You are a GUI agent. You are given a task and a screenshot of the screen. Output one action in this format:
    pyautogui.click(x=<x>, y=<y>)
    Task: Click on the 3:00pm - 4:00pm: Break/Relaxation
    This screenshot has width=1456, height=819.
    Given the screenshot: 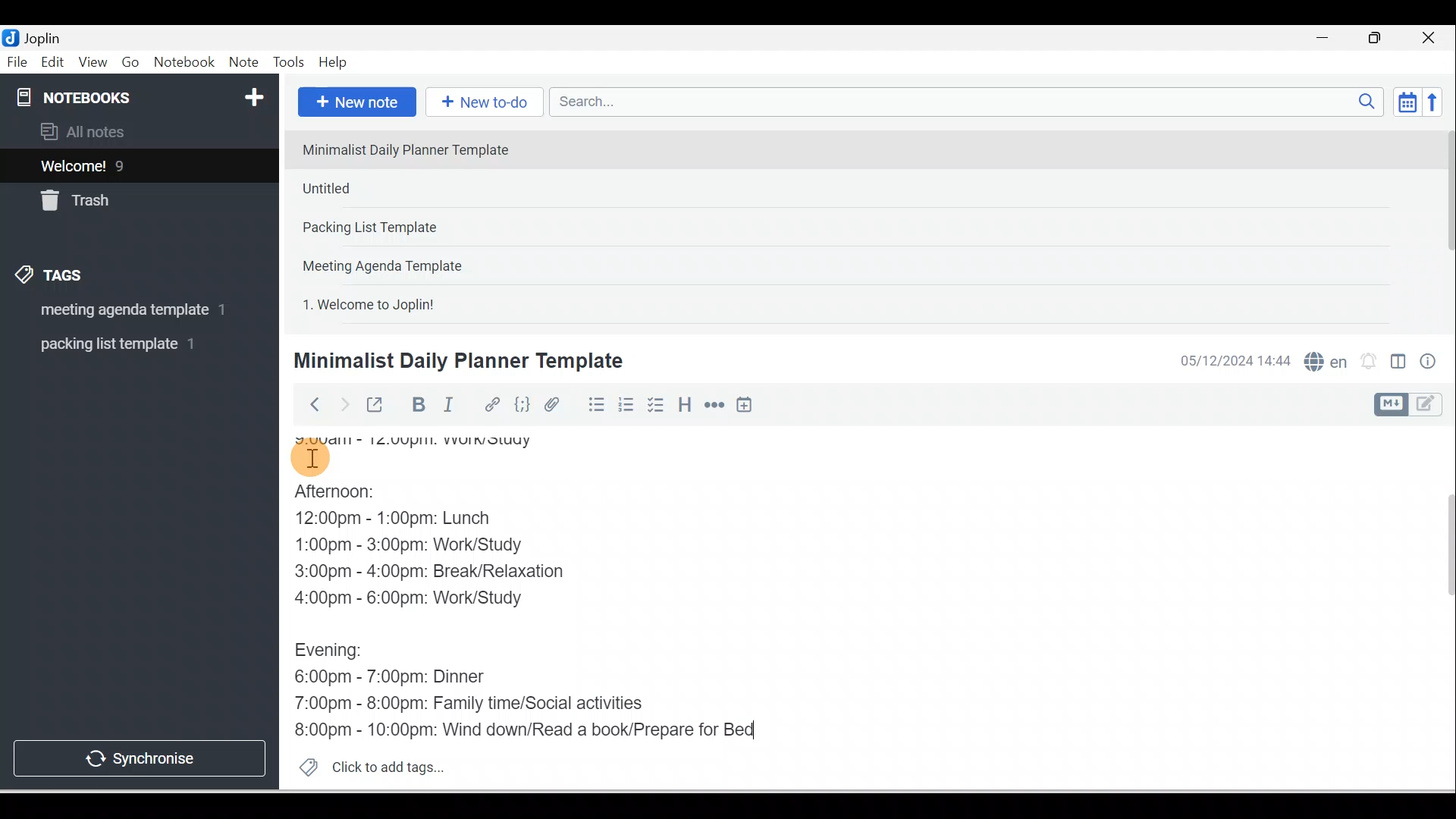 What is the action you would take?
    pyautogui.click(x=462, y=573)
    